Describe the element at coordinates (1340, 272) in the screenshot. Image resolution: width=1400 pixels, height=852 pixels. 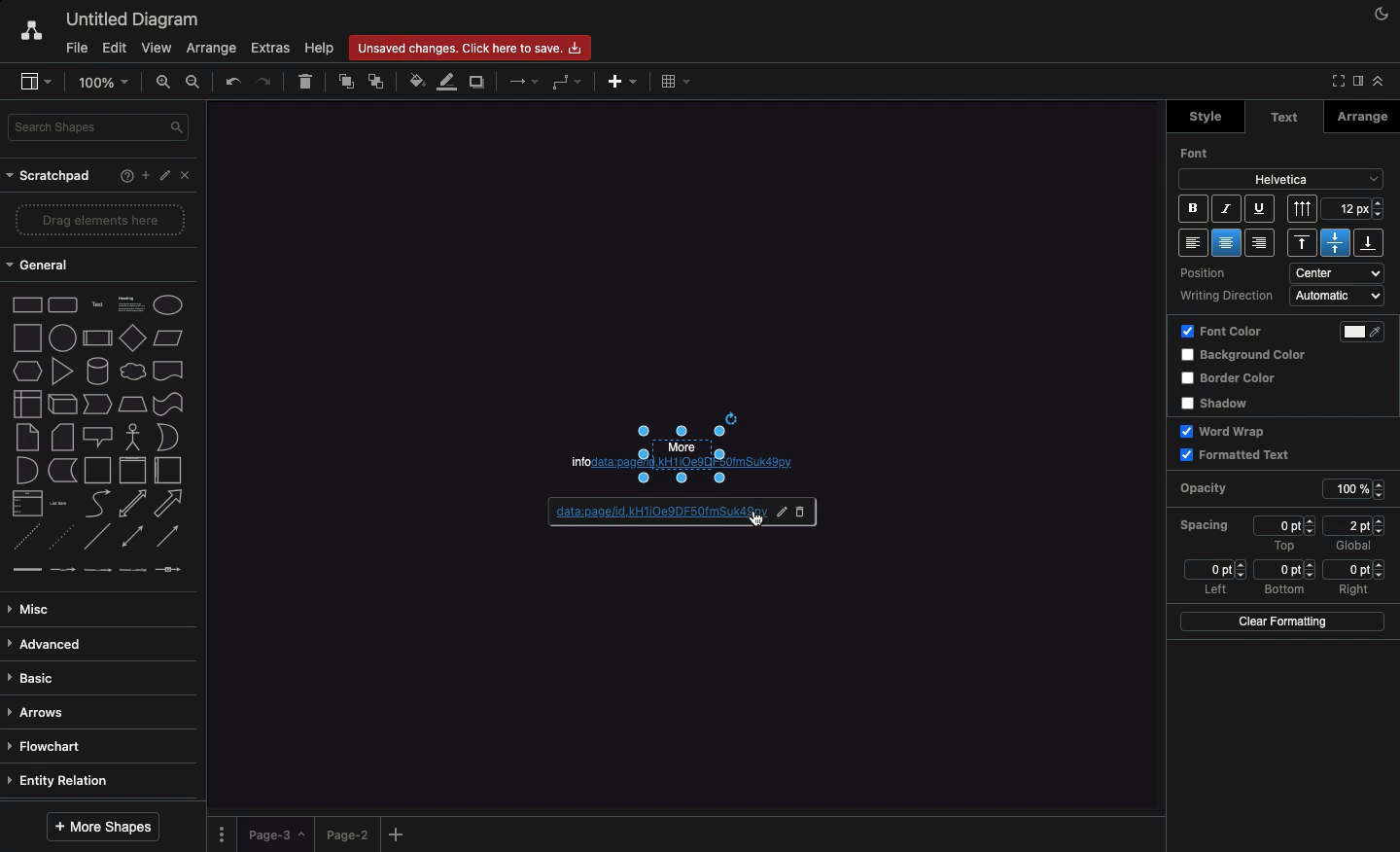
I see `center` at that location.